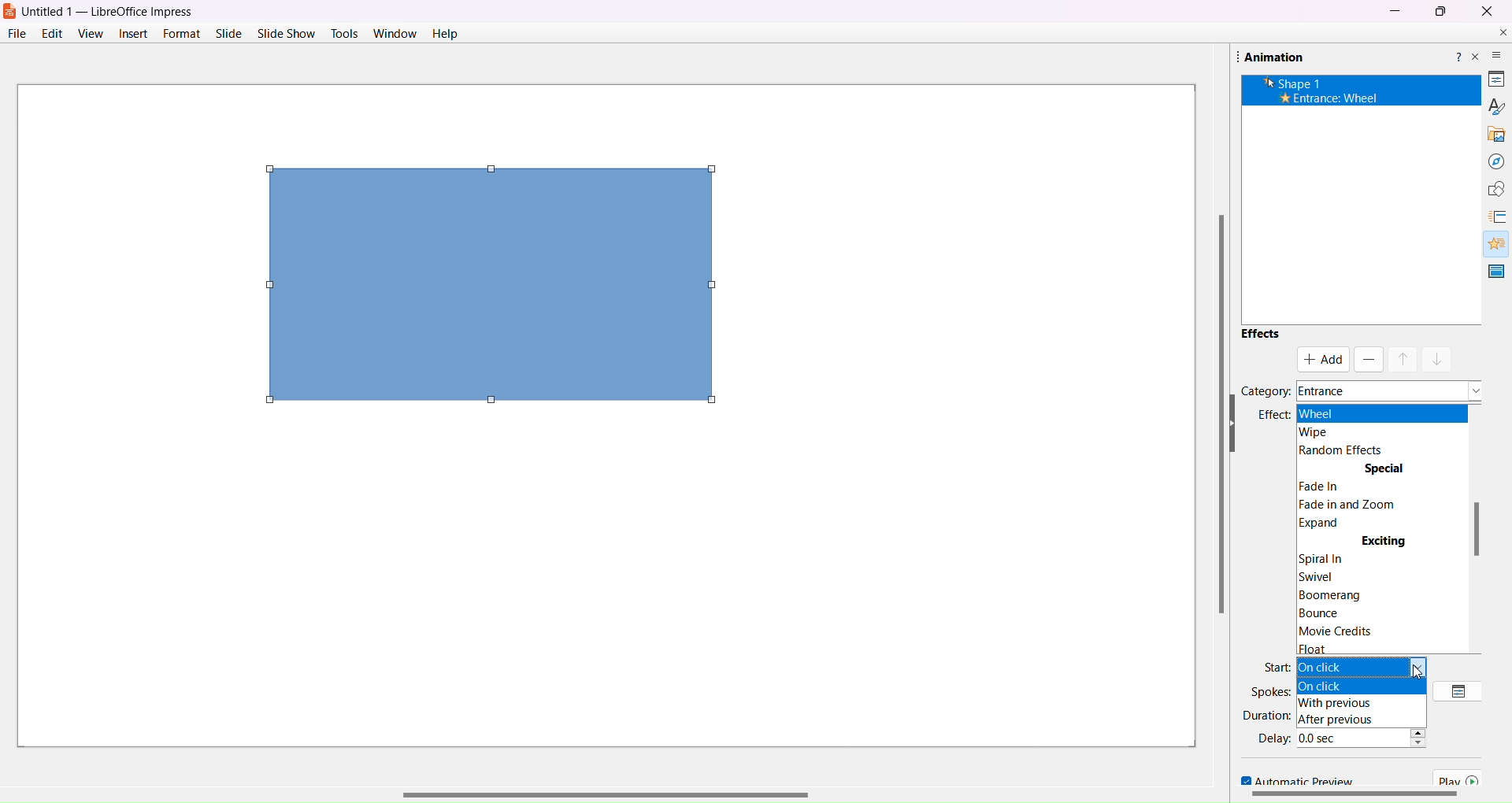 The height and width of the screenshot is (803, 1512). I want to click on move down, so click(1438, 357).